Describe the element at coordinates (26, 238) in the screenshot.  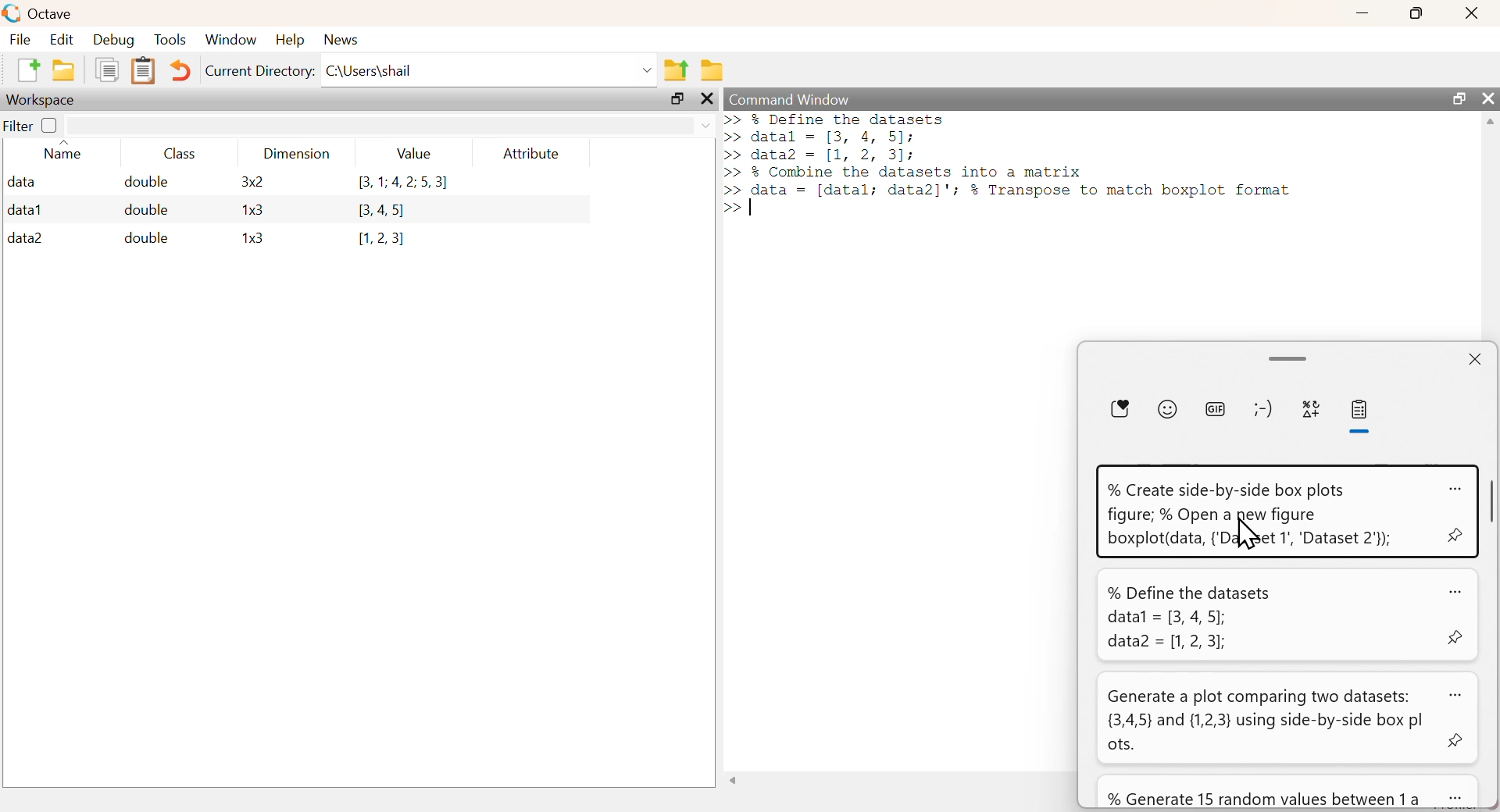
I see `data2` at that location.